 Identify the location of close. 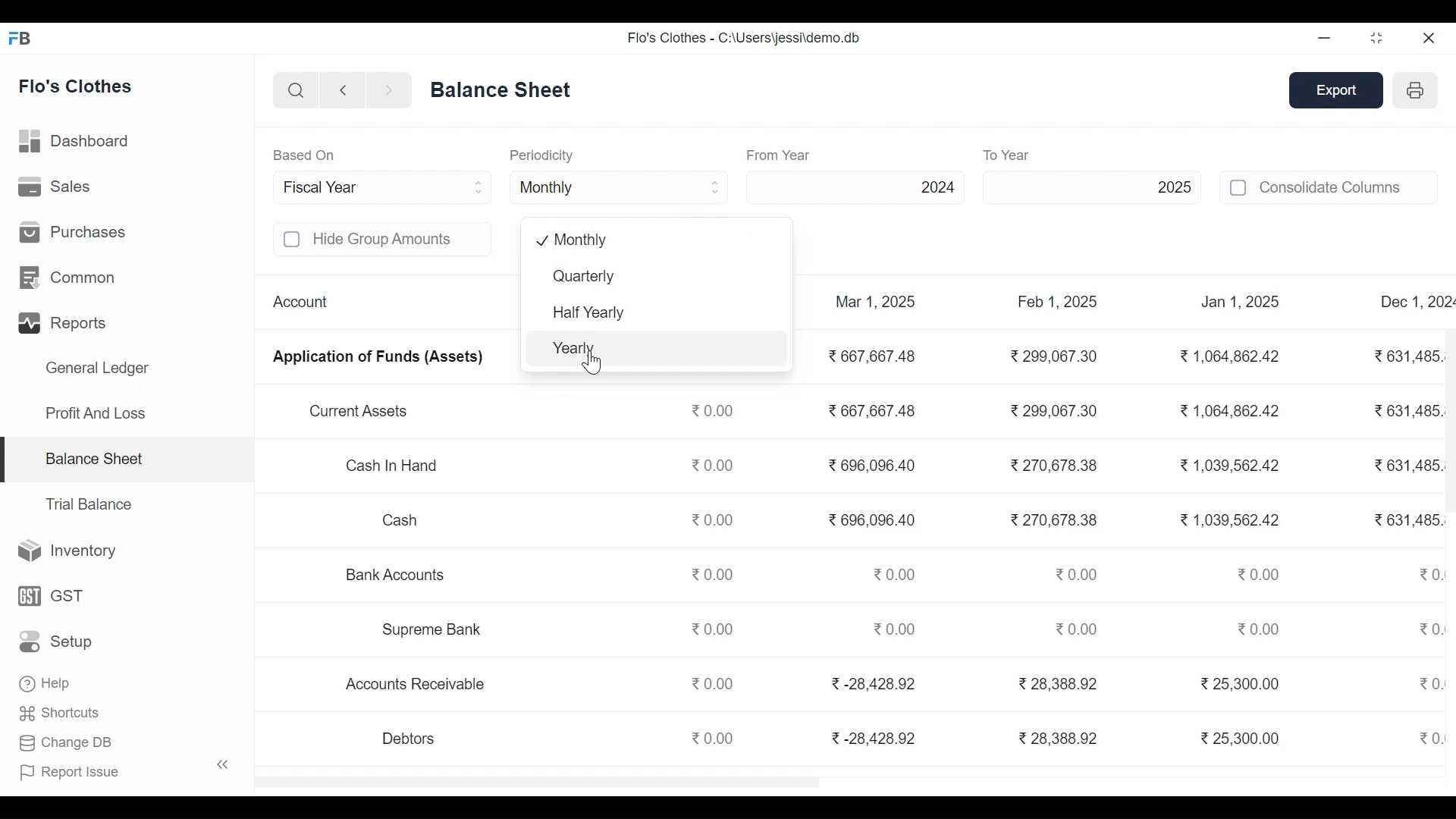
(1430, 37).